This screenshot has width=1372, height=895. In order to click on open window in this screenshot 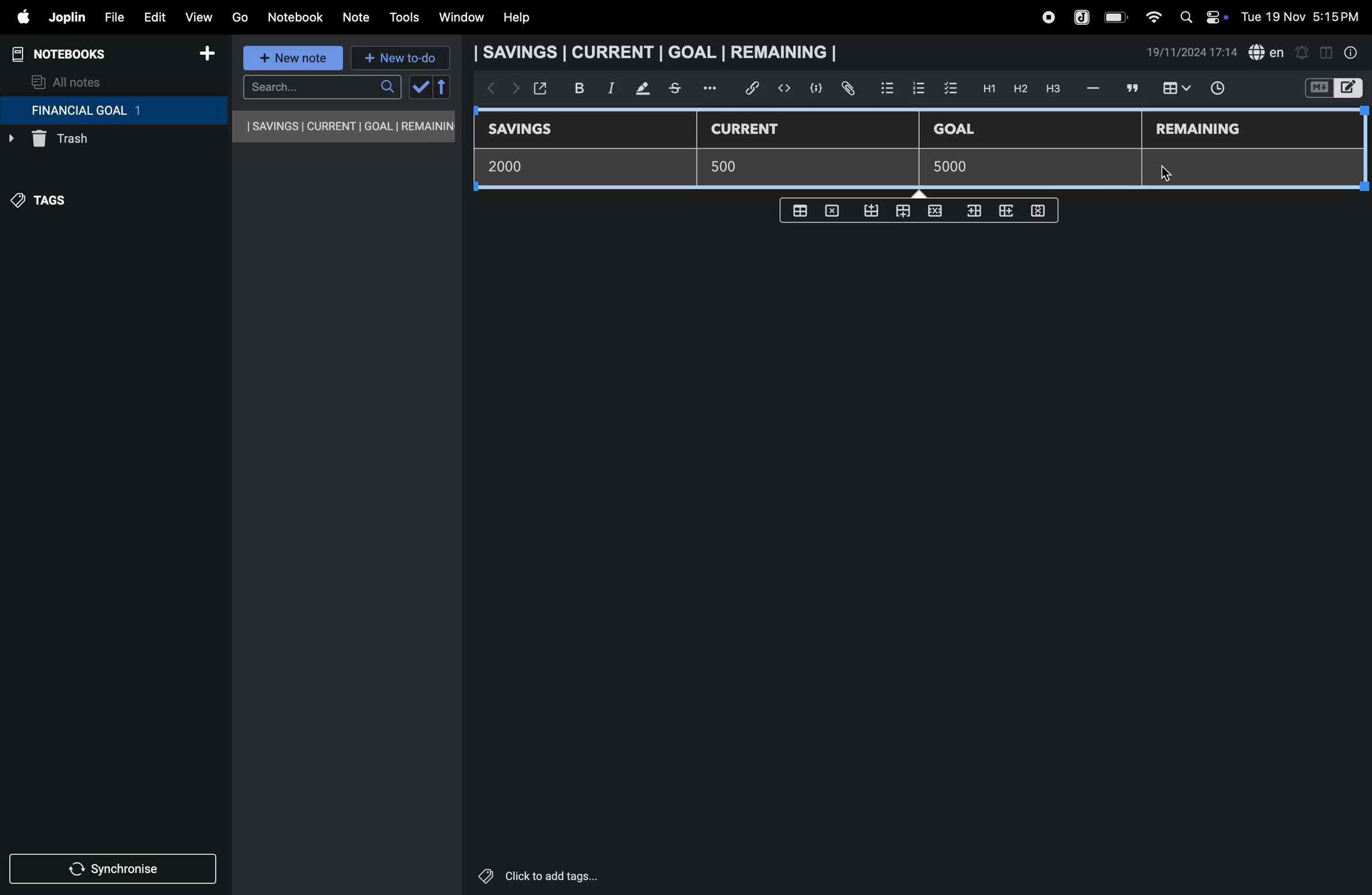, I will do `click(539, 88)`.